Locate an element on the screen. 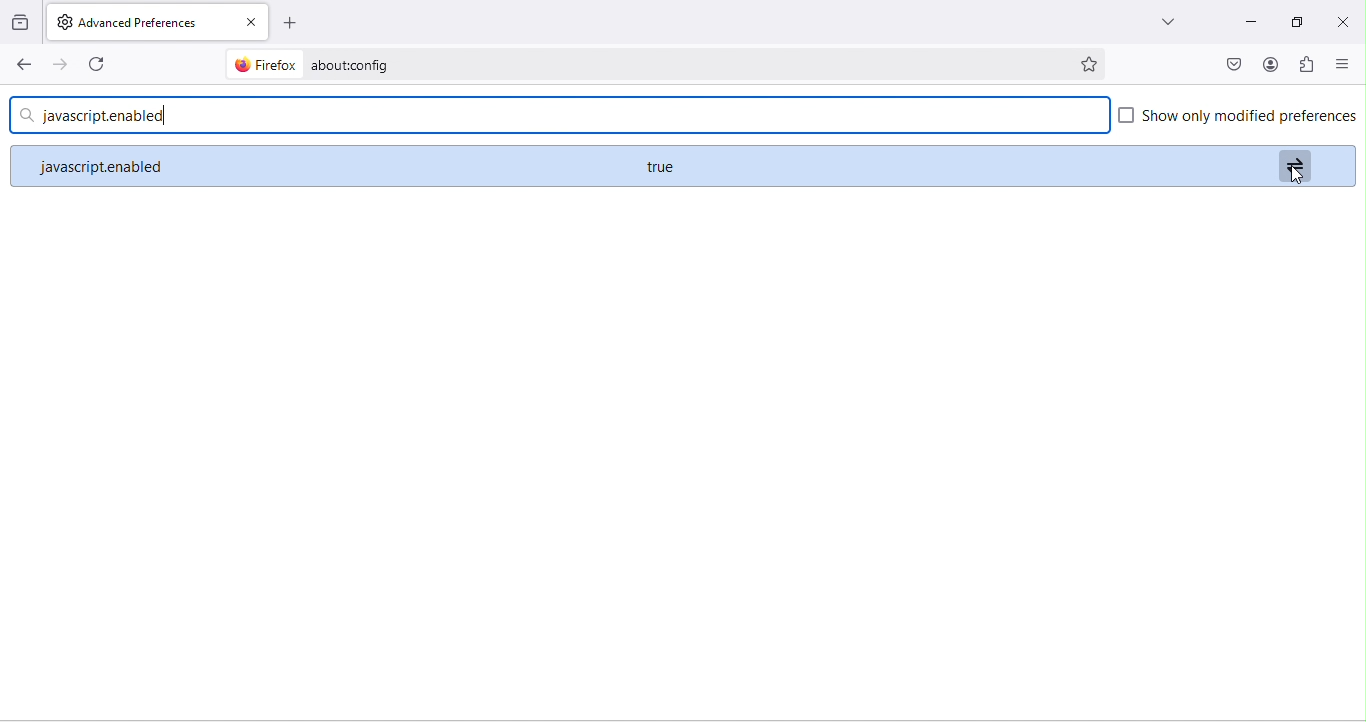 This screenshot has height=722, width=1366. about config is located at coordinates (683, 64).